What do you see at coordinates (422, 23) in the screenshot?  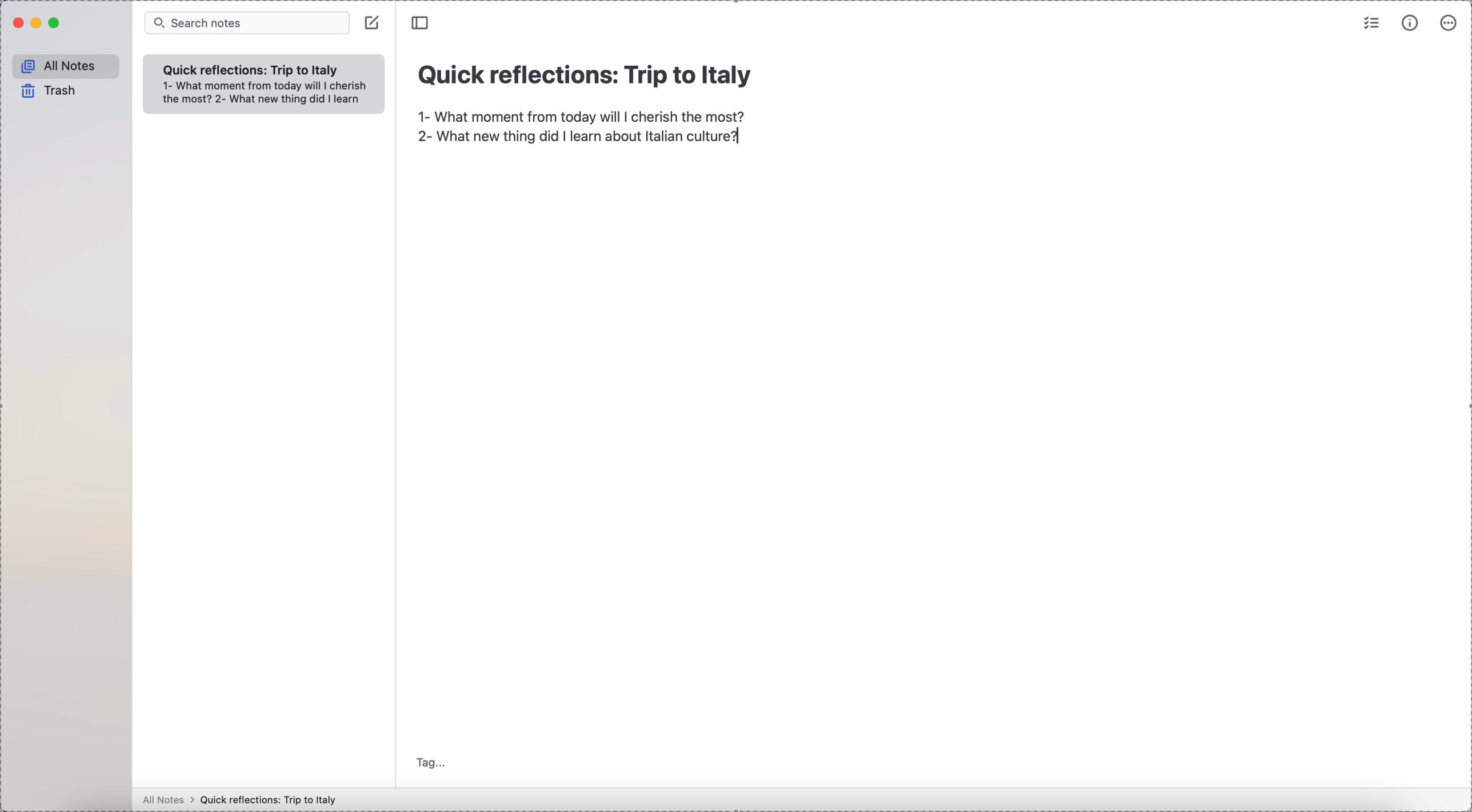 I see `toggle sidebar` at bounding box center [422, 23].